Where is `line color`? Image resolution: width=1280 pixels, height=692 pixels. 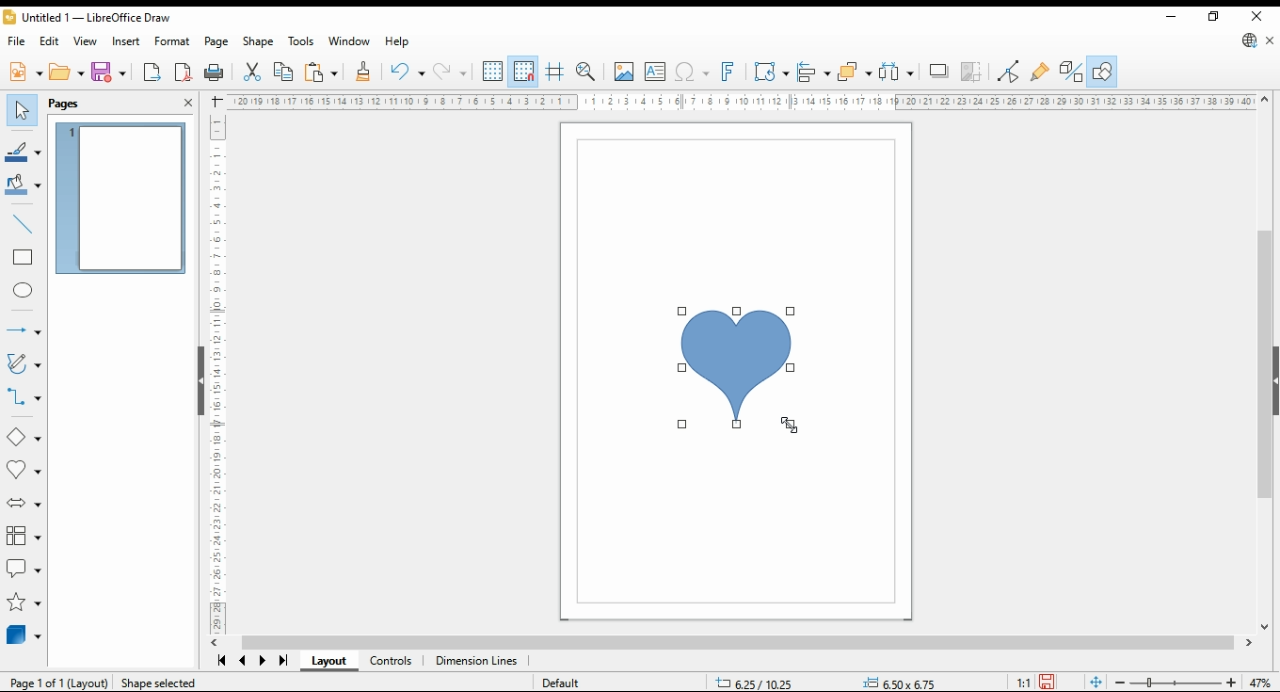
line color is located at coordinates (25, 150).